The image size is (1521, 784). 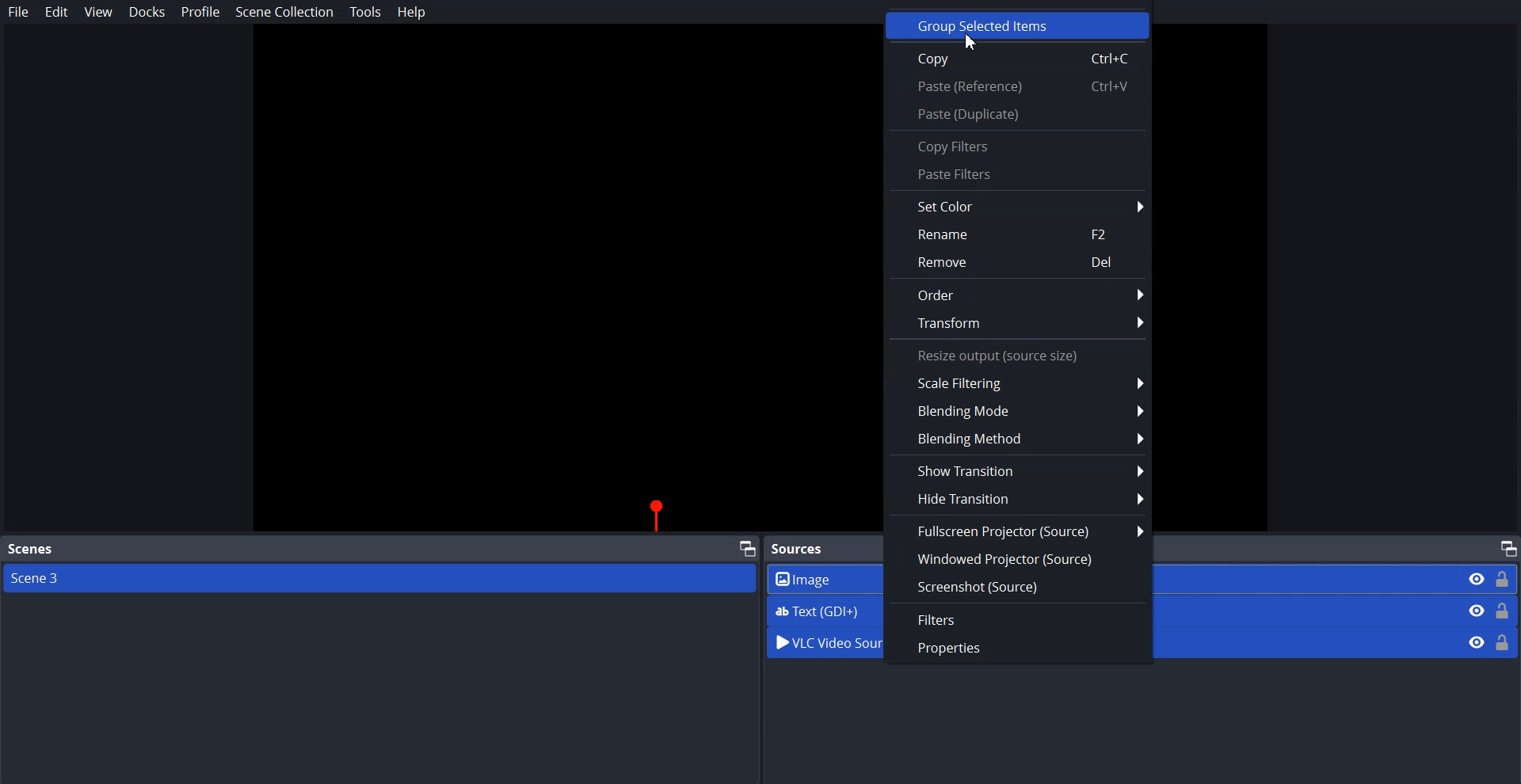 I want to click on Tools, so click(x=366, y=12).